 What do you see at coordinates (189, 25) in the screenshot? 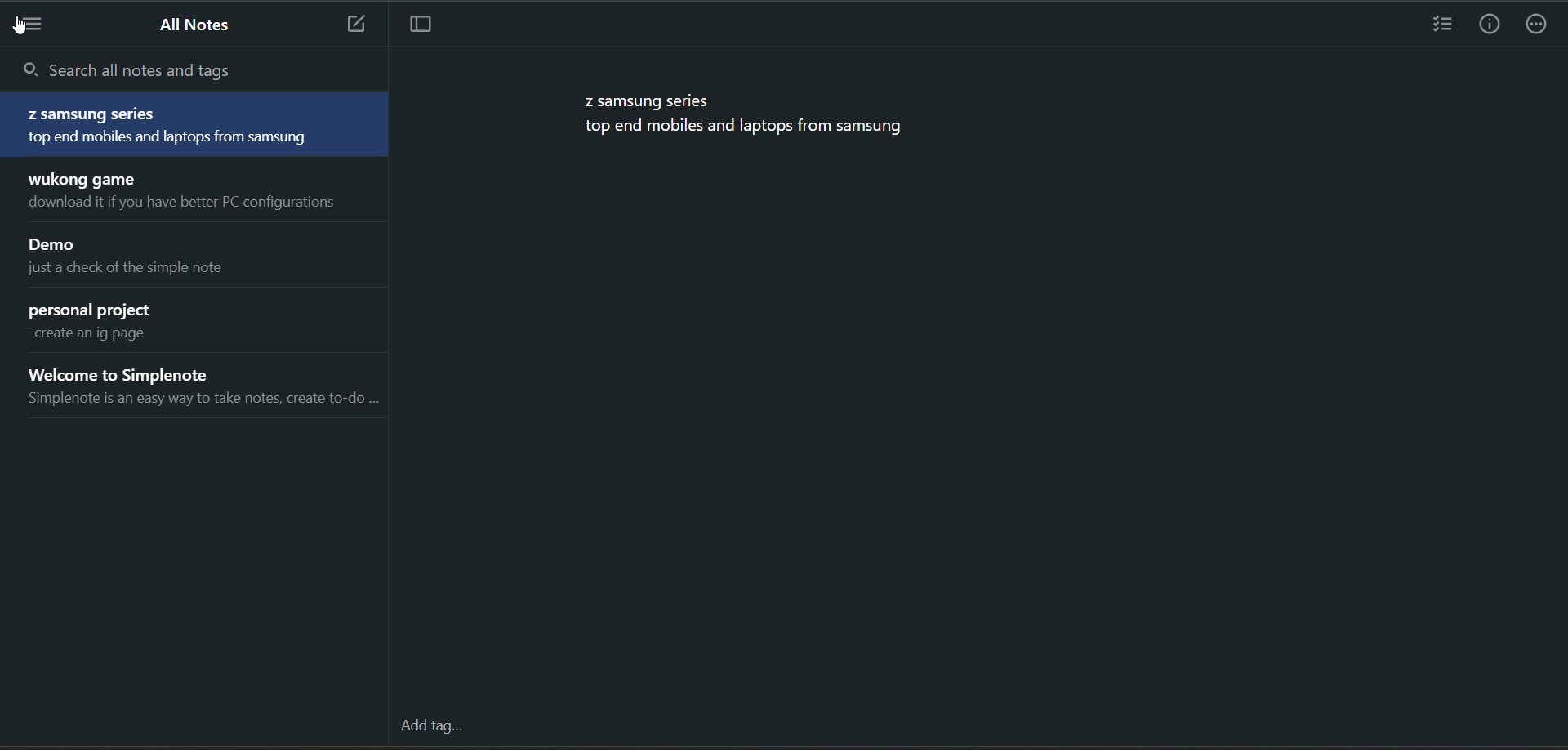
I see `all notes` at bounding box center [189, 25].